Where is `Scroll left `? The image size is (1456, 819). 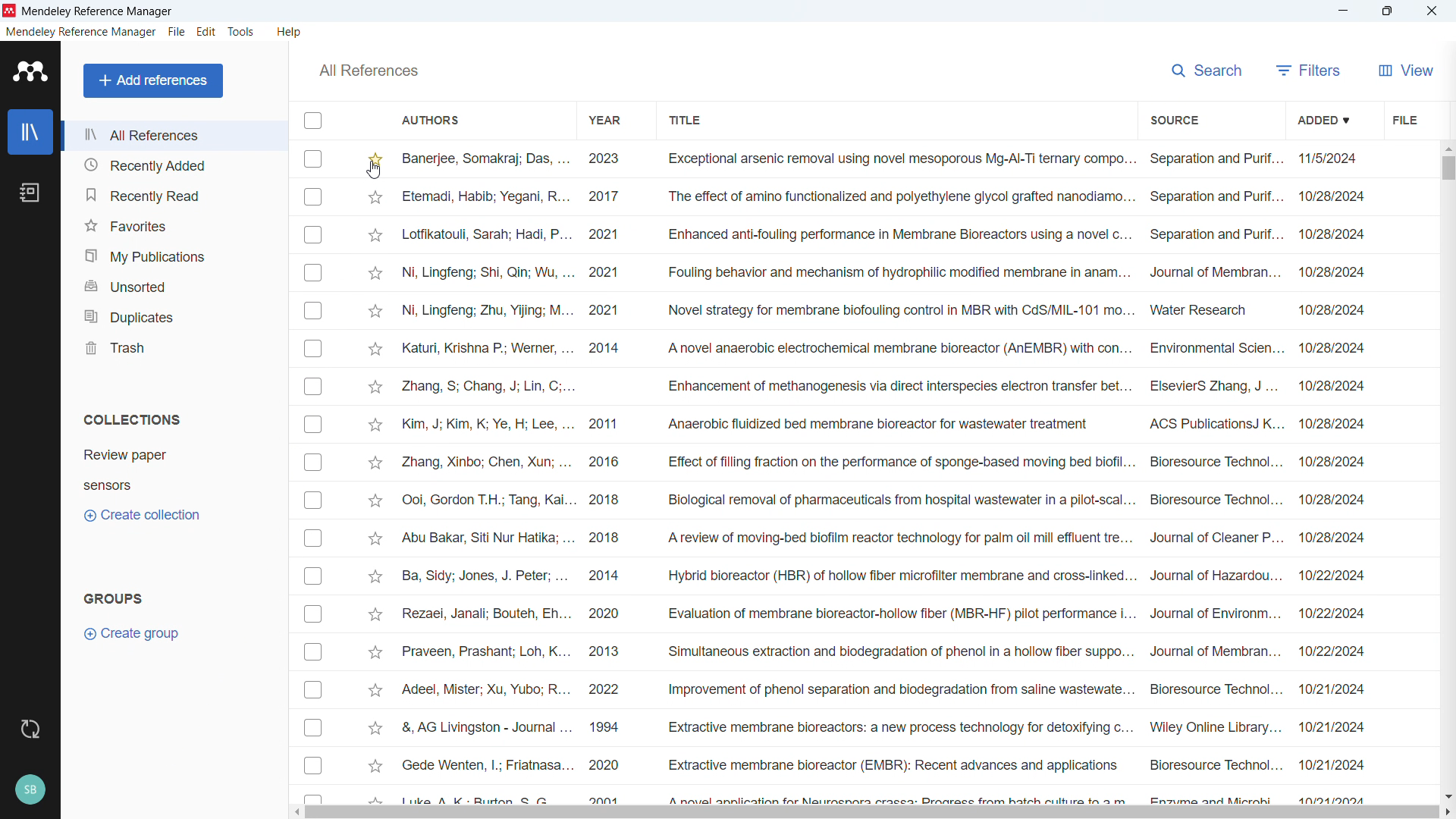
Scroll left  is located at coordinates (294, 813).